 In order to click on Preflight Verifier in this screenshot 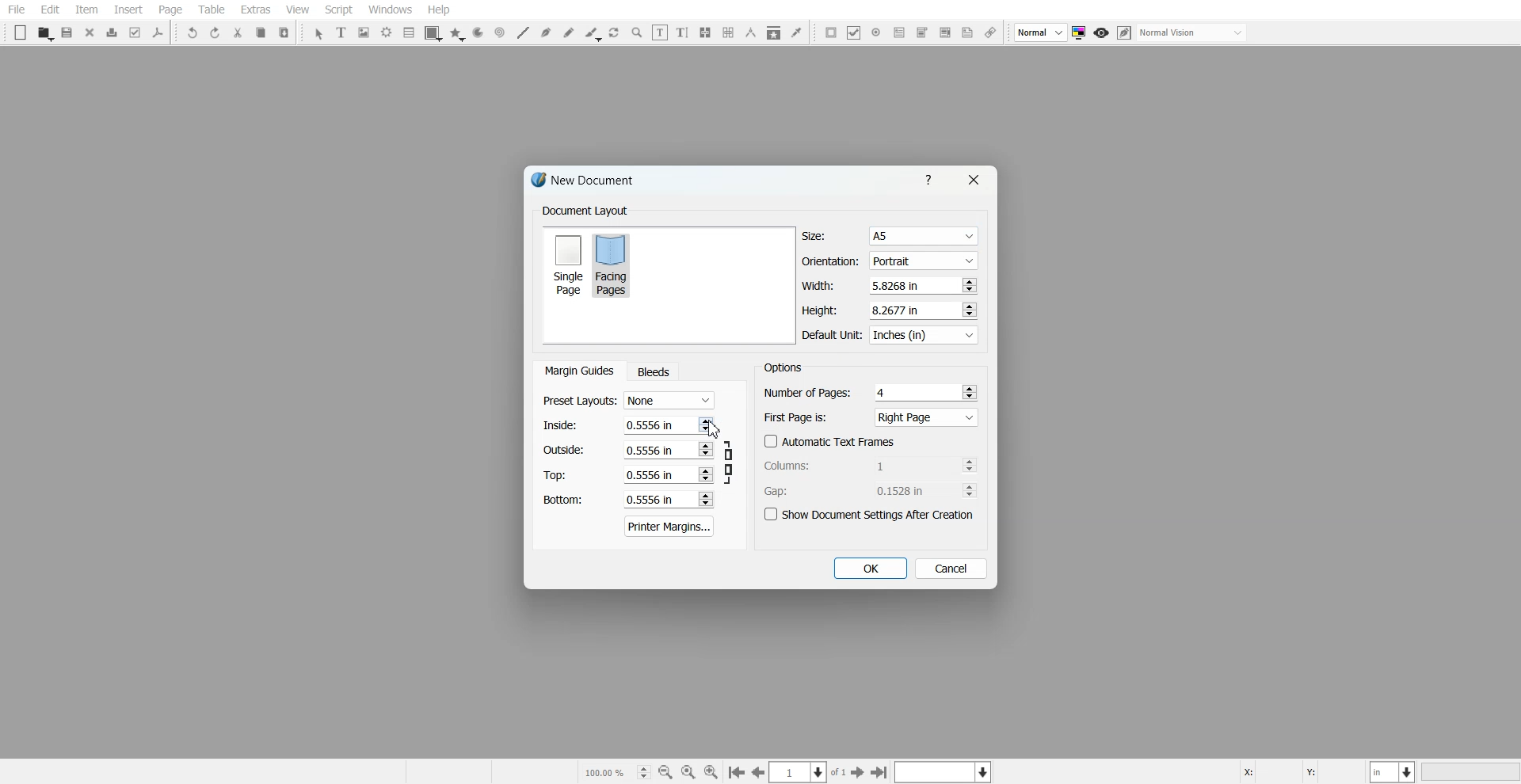, I will do `click(136, 32)`.